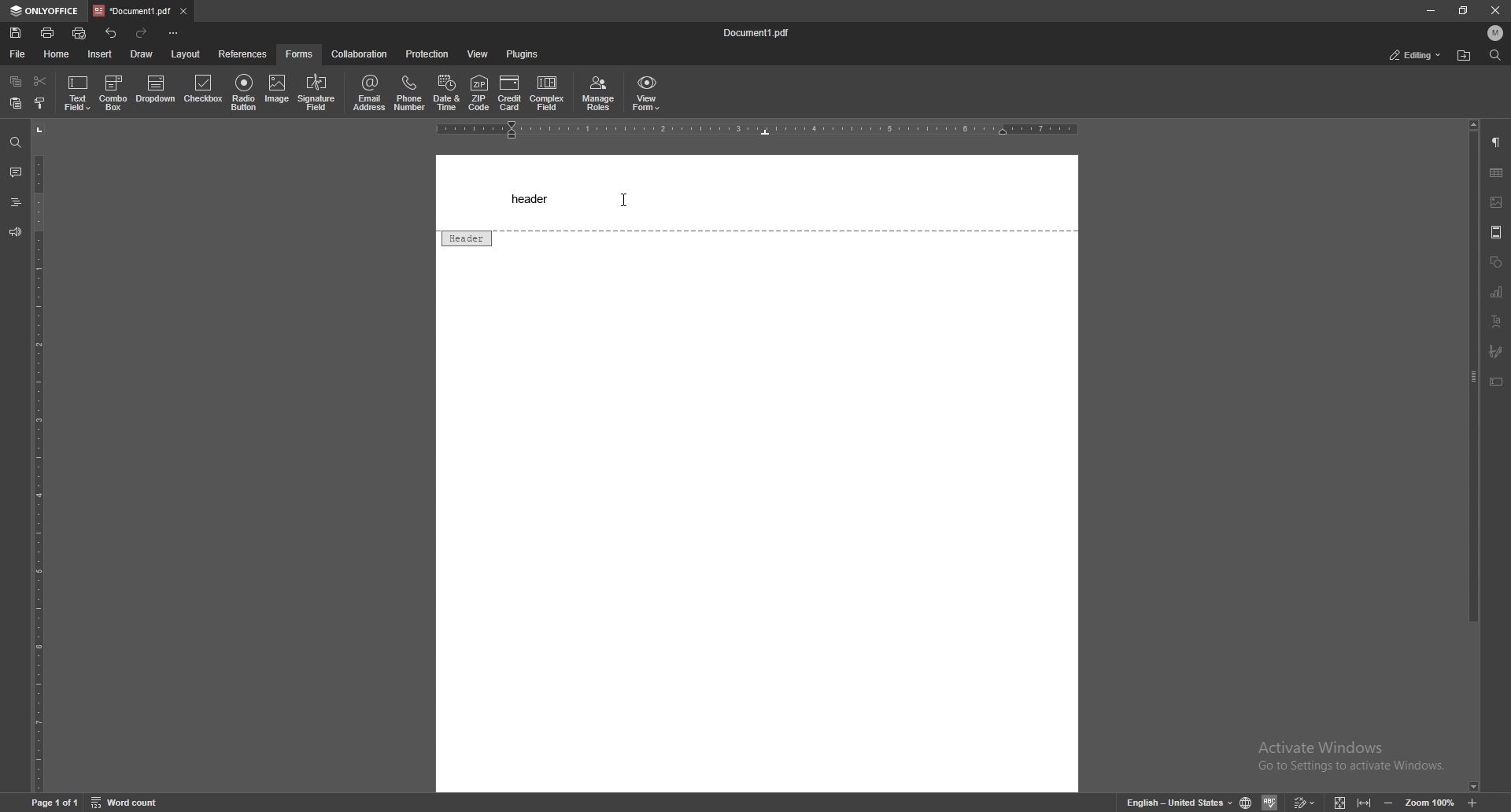 This screenshot has width=1511, height=812. What do you see at coordinates (19, 53) in the screenshot?
I see `file` at bounding box center [19, 53].